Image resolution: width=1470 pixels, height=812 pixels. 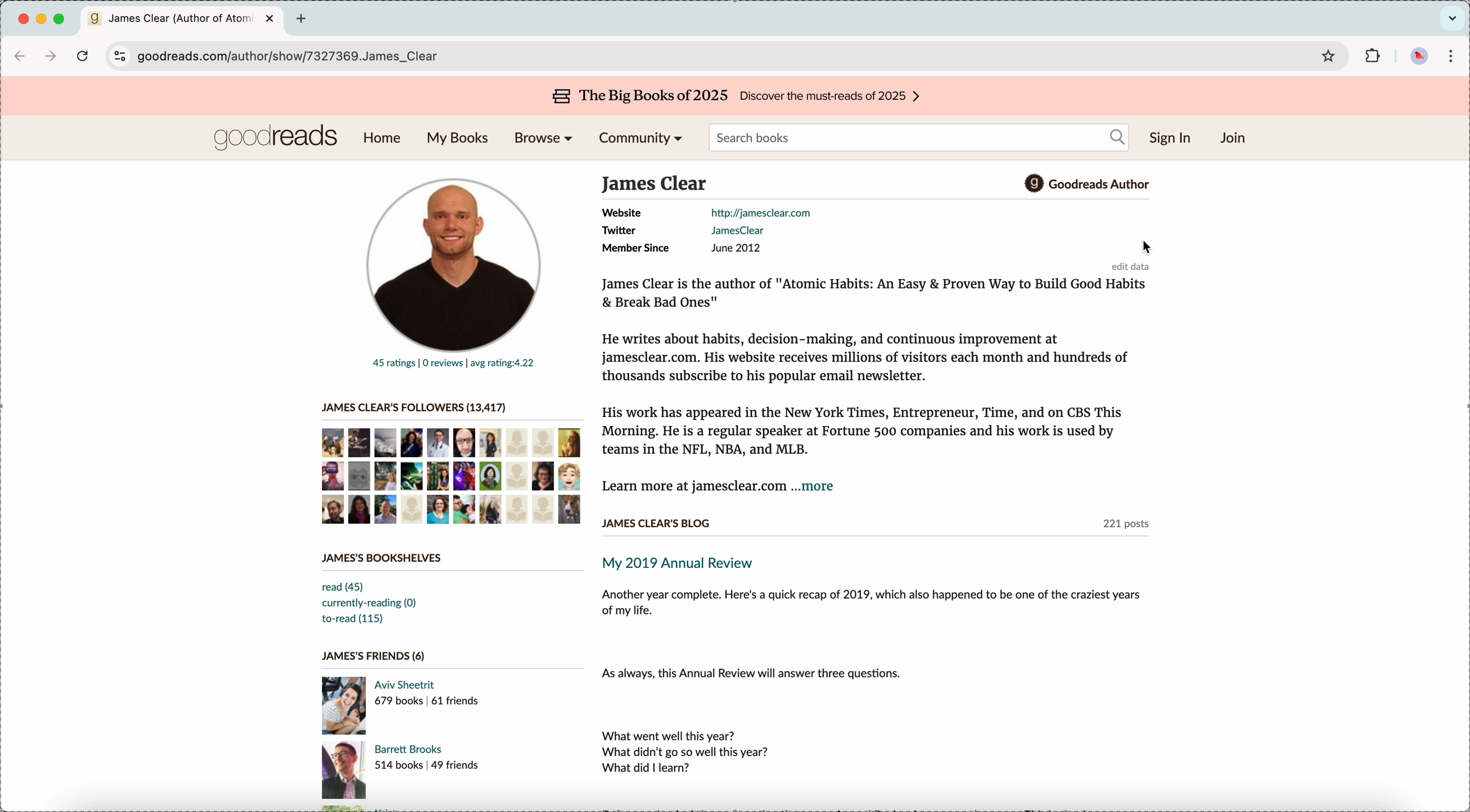 What do you see at coordinates (385, 558) in the screenshot?
I see `James Booksheves` at bounding box center [385, 558].